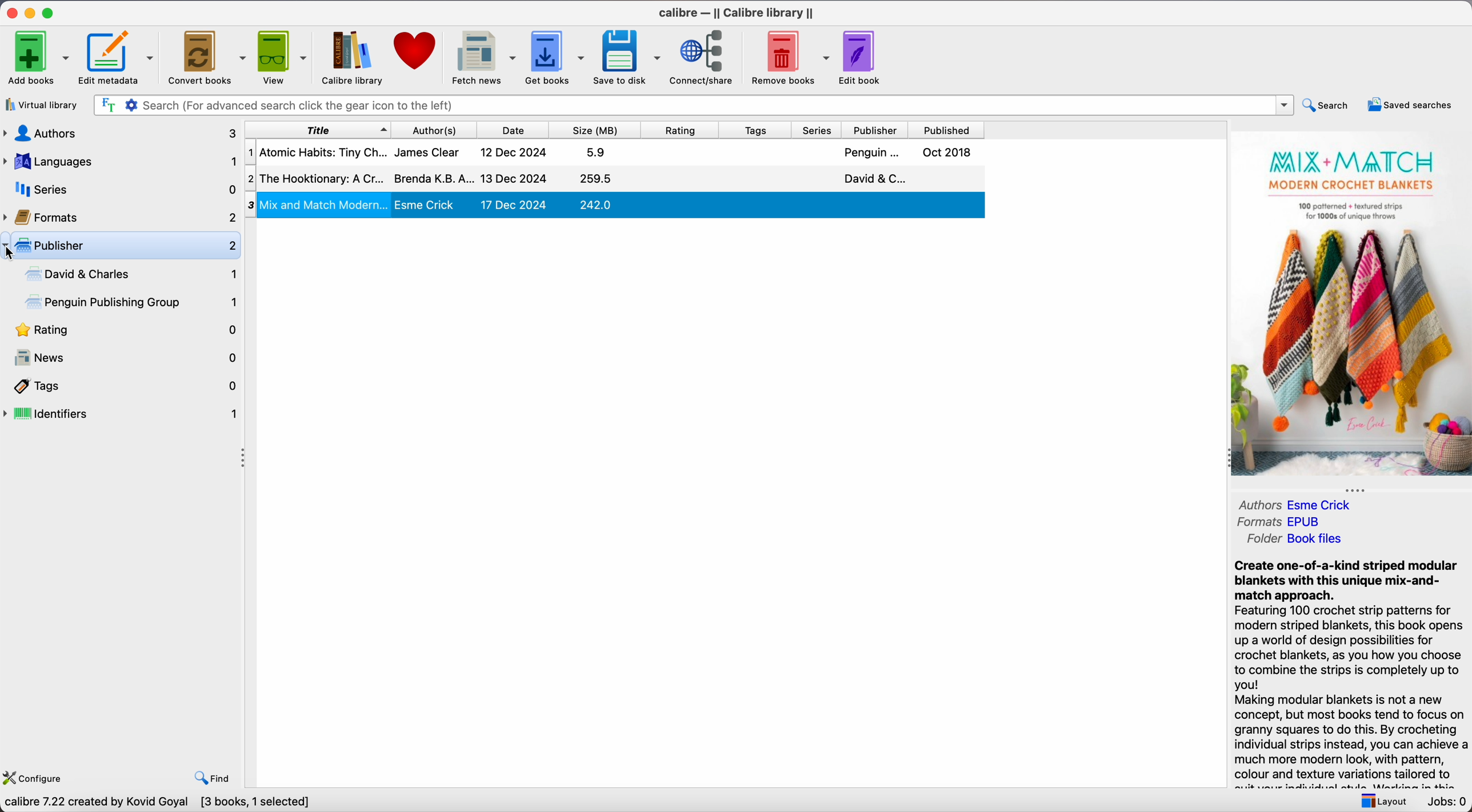 The image size is (1472, 812). I want to click on publisher, so click(877, 130).